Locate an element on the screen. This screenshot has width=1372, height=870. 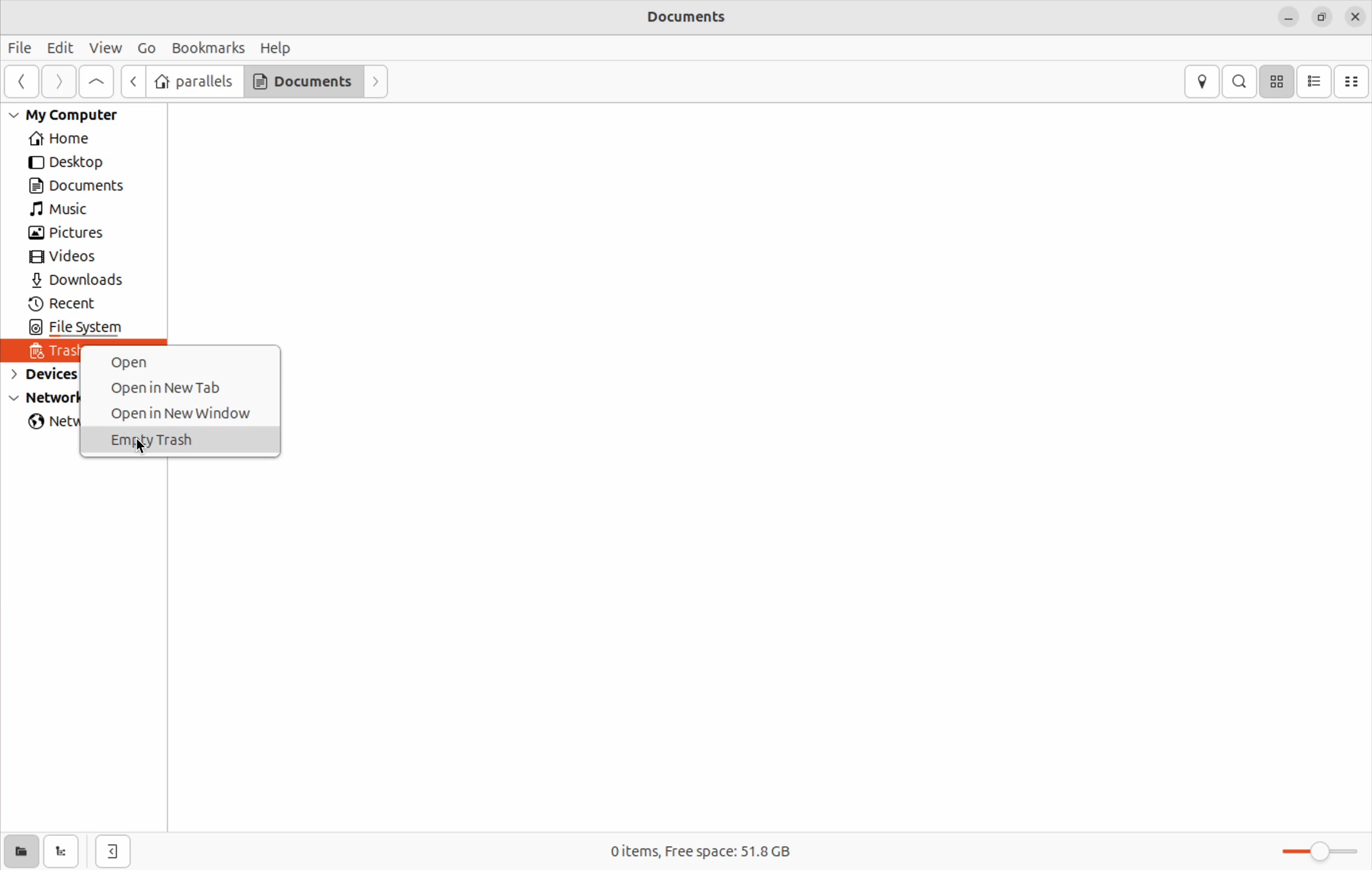
file system is located at coordinates (86, 328).